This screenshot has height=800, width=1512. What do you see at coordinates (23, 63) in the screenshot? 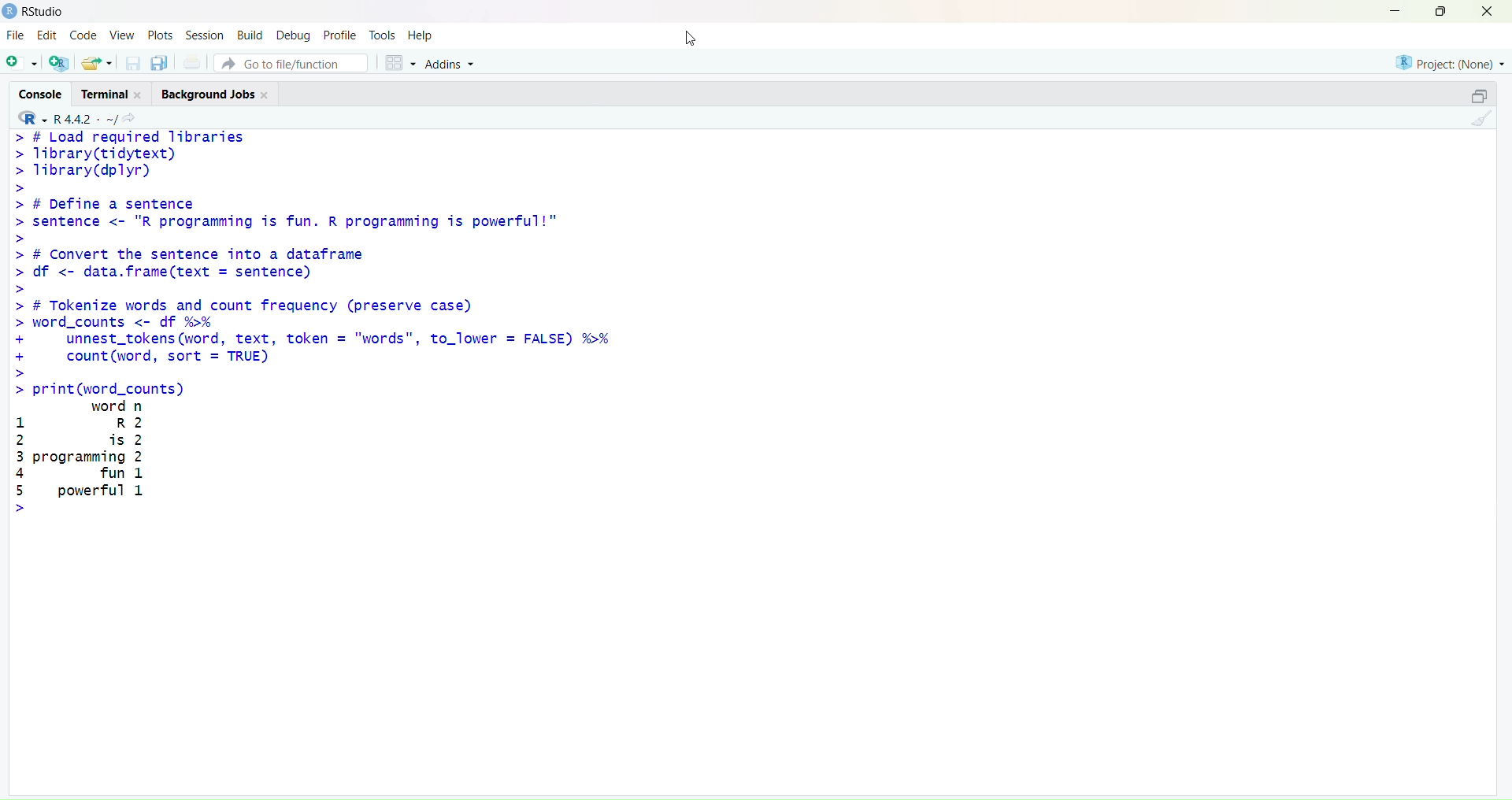
I see `new script` at bounding box center [23, 63].